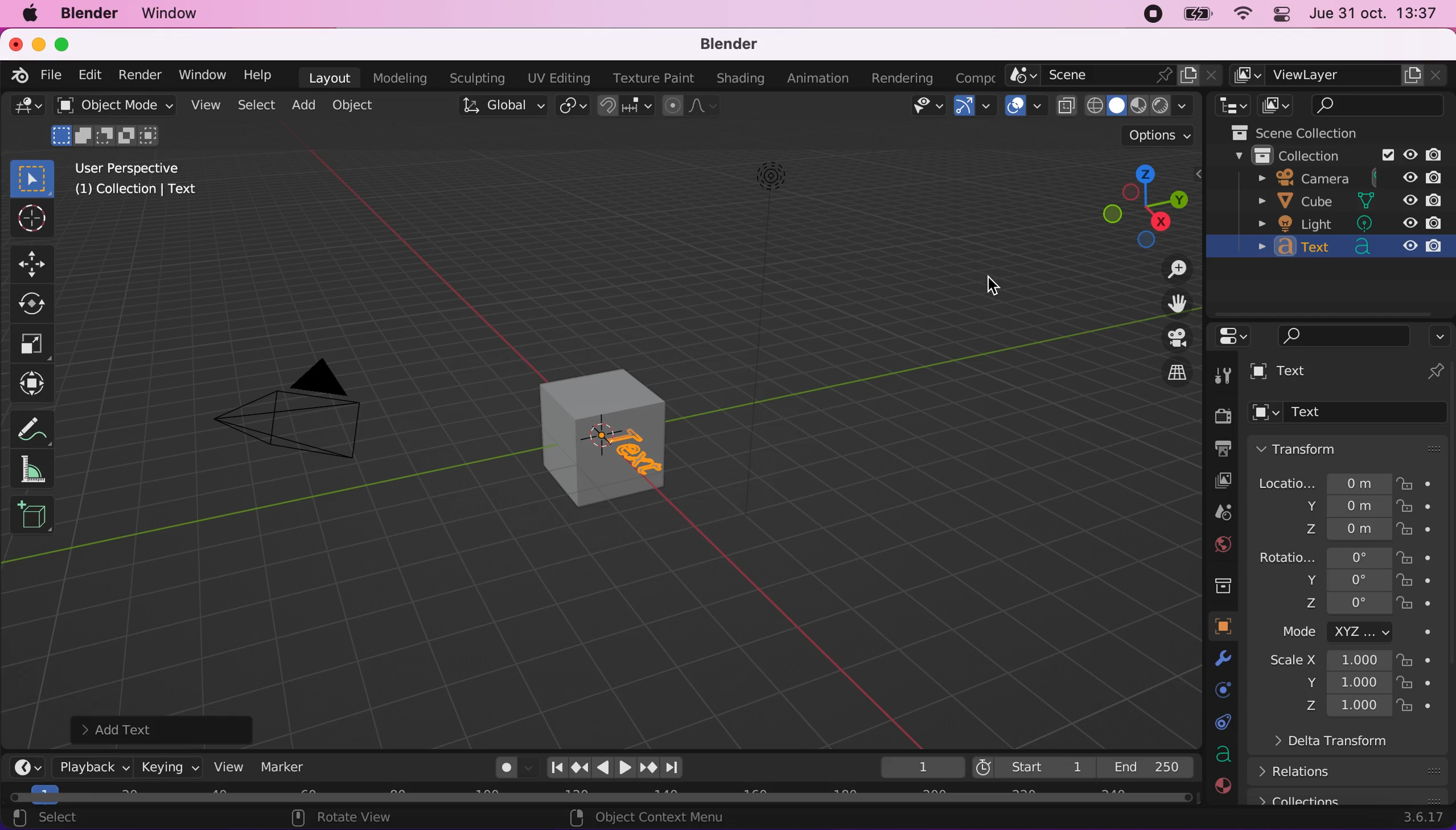 The width and height of the screenshot is (1456, 830). Describe the element at coordinates (1416, 483) in the screenshot. I see `lock button` at that location.